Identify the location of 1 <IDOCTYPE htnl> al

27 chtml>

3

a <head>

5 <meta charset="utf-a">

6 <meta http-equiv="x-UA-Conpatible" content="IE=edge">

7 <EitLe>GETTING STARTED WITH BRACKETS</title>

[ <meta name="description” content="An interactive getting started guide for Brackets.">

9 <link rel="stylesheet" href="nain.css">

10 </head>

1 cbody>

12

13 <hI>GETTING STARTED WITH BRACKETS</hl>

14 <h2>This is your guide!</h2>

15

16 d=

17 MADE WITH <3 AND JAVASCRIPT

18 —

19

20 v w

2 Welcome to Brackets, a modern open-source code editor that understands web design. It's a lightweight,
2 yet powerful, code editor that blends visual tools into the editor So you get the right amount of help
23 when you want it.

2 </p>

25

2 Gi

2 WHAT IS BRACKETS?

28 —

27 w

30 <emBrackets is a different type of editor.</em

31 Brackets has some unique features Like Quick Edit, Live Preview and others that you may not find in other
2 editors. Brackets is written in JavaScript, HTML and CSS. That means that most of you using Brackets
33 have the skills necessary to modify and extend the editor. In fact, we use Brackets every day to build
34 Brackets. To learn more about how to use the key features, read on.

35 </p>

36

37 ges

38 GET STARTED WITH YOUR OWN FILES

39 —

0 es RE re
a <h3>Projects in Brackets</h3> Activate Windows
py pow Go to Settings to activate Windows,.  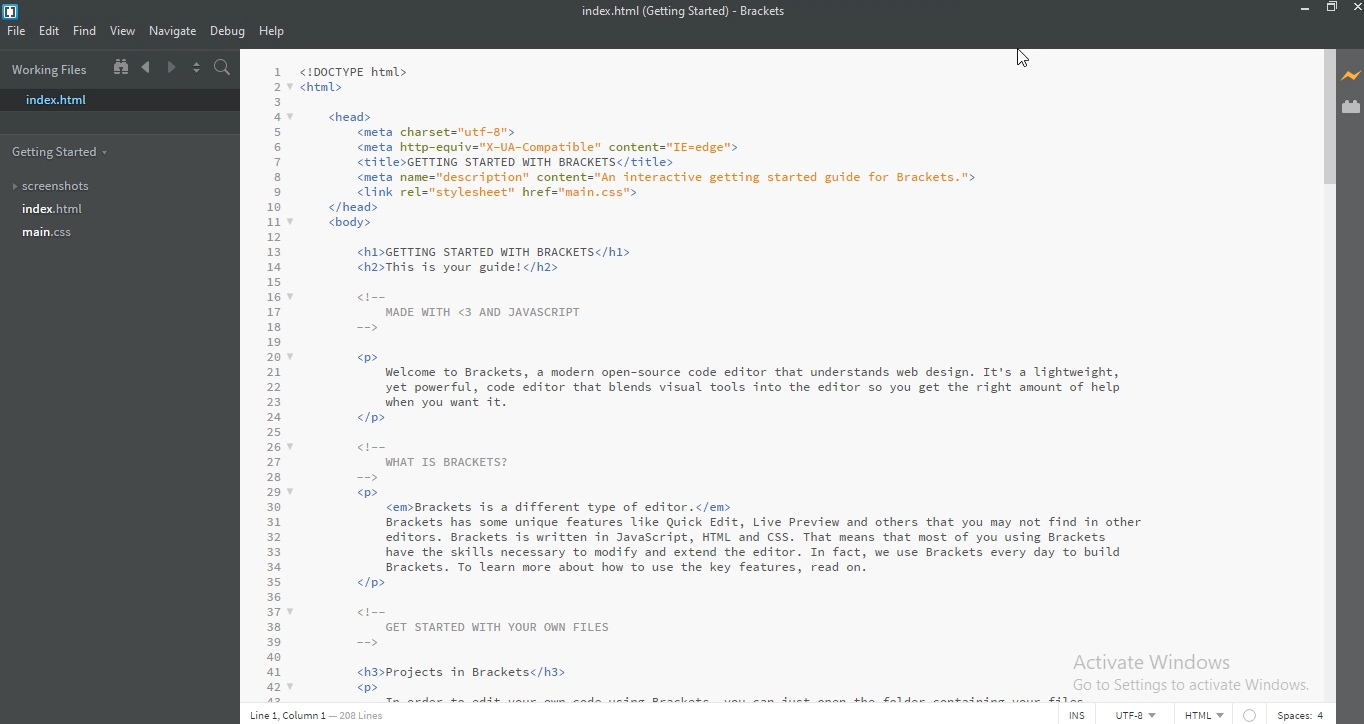
(783, 374).